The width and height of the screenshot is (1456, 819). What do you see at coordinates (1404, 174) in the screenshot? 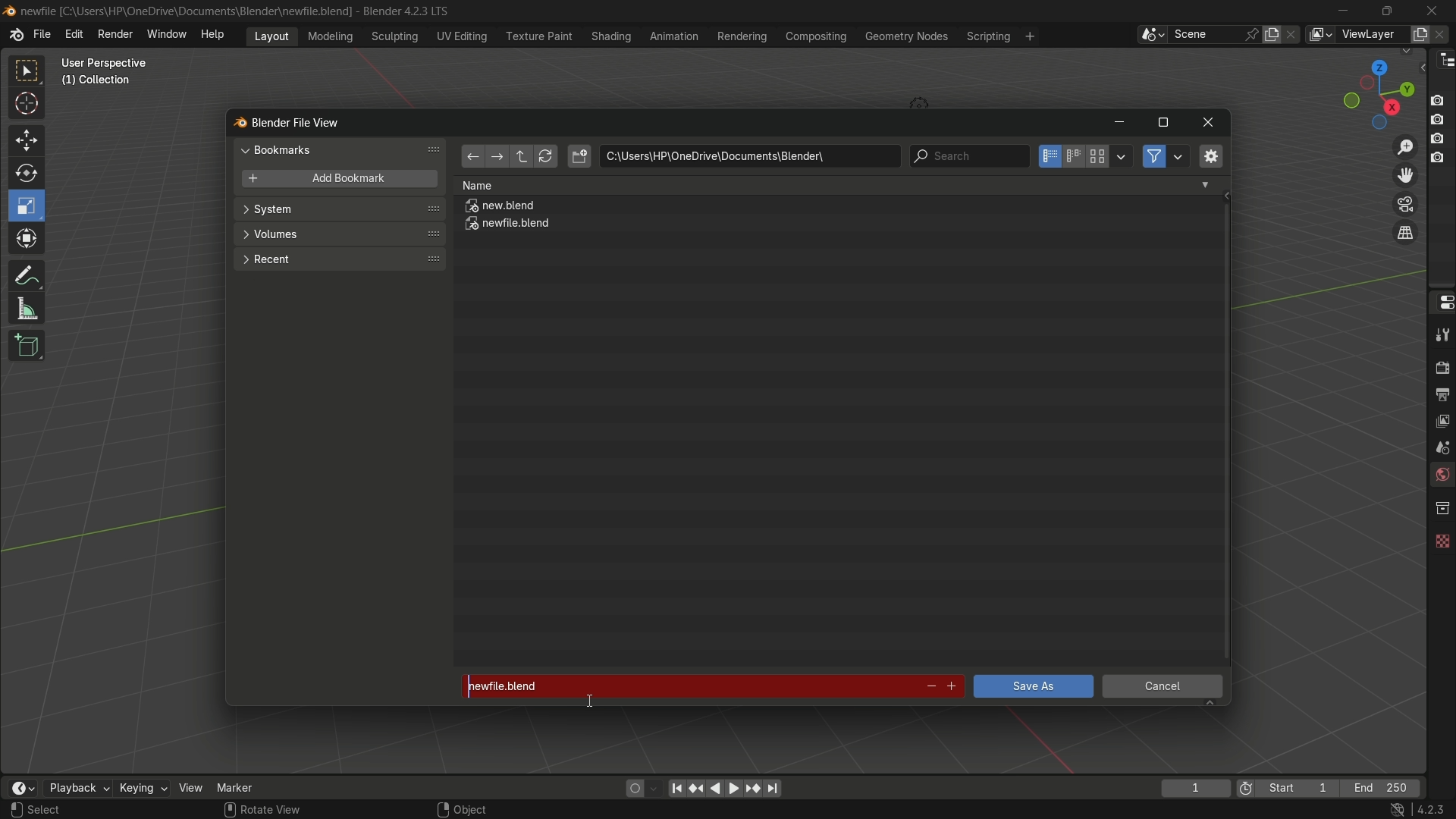
I see `move view layer` at bounding box center [1404, 174].